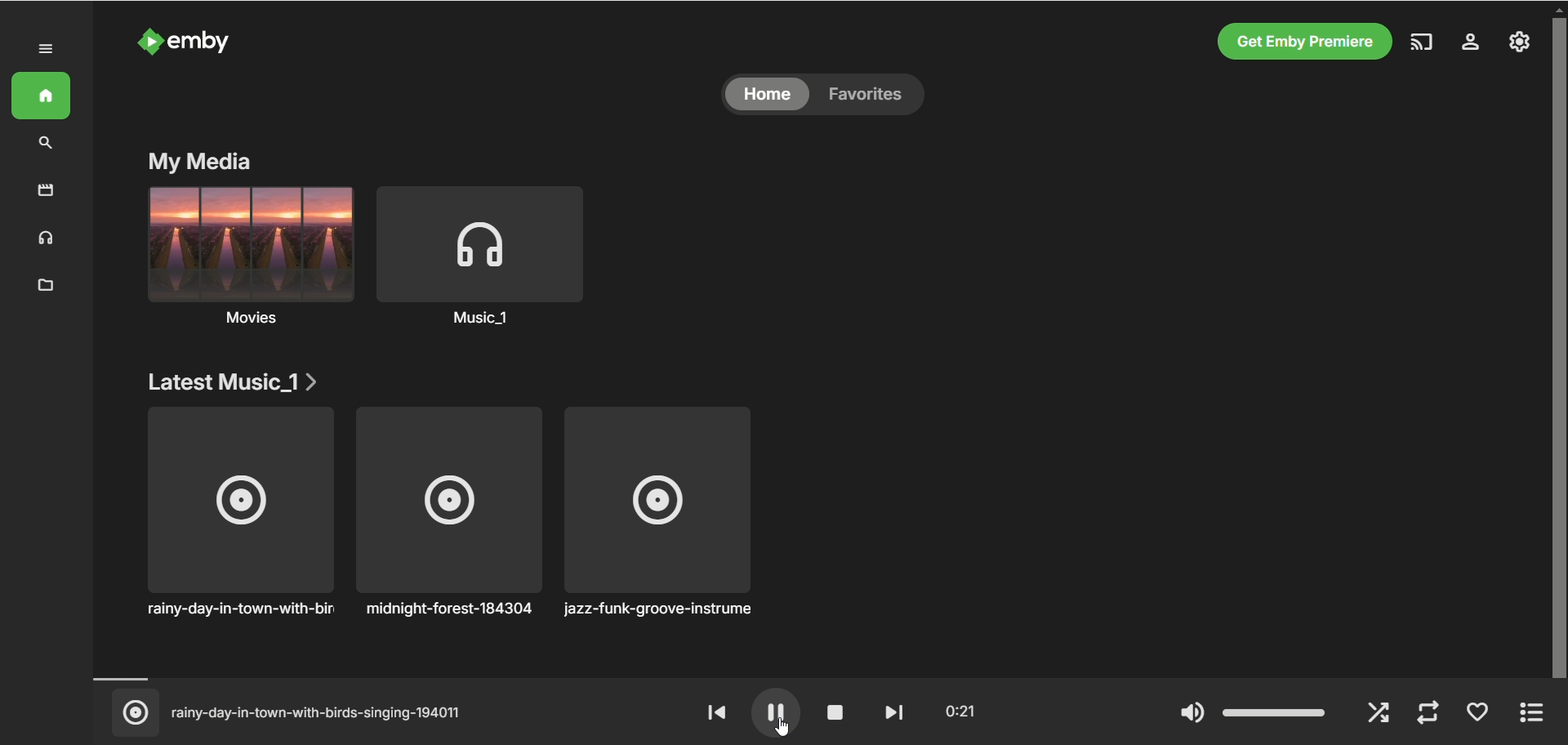 This screenshot has width=1568, height=745. Describe the element at coordinates (46, 285) in the screenshot. I see `folder` at that location.